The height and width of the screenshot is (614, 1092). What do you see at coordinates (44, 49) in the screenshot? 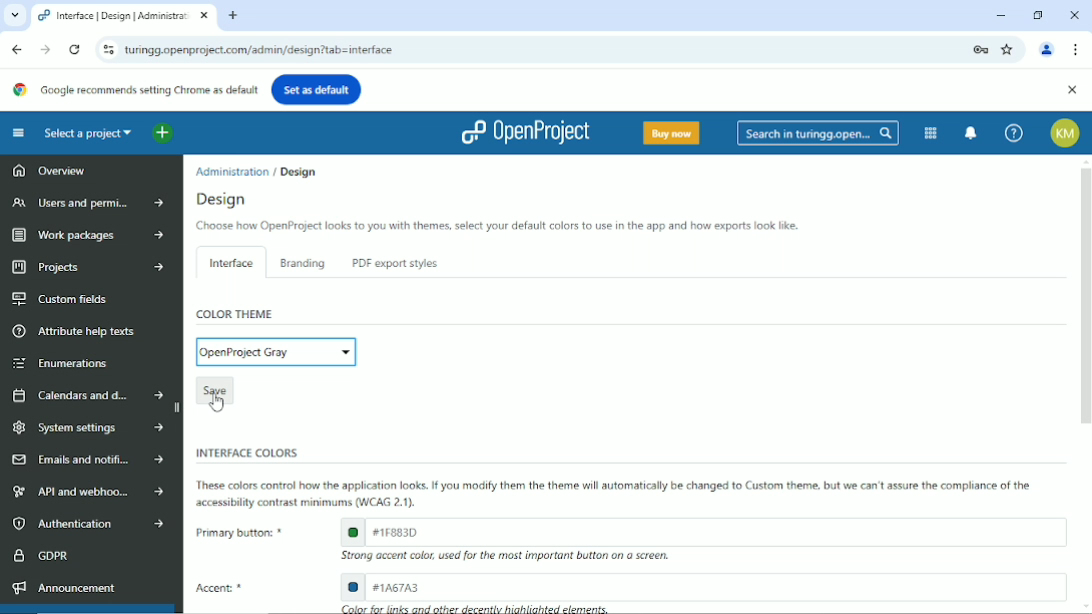
I see `Forward` at bounding box center [44, 49].